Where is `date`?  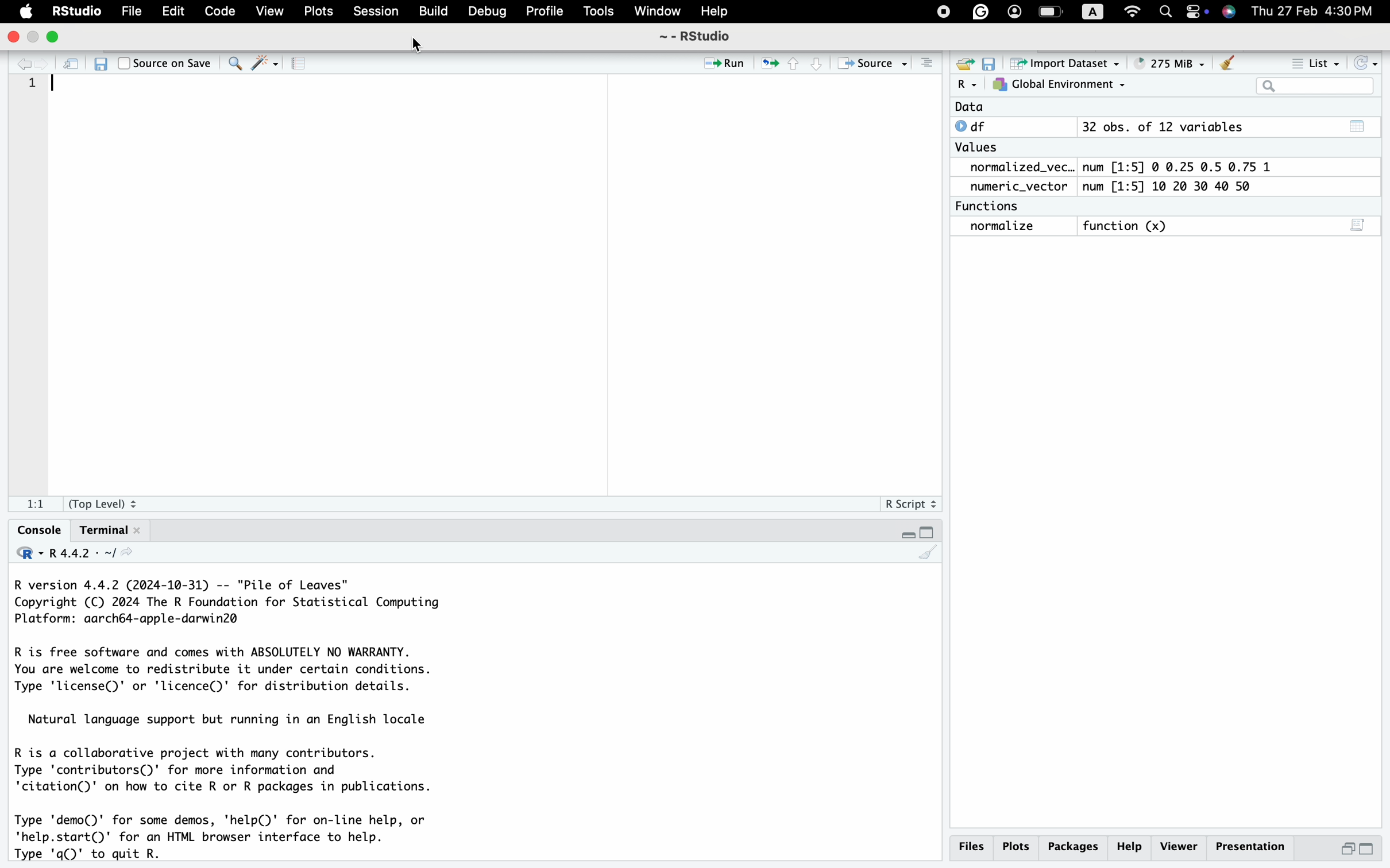 date is located at coordinates (978, 106).